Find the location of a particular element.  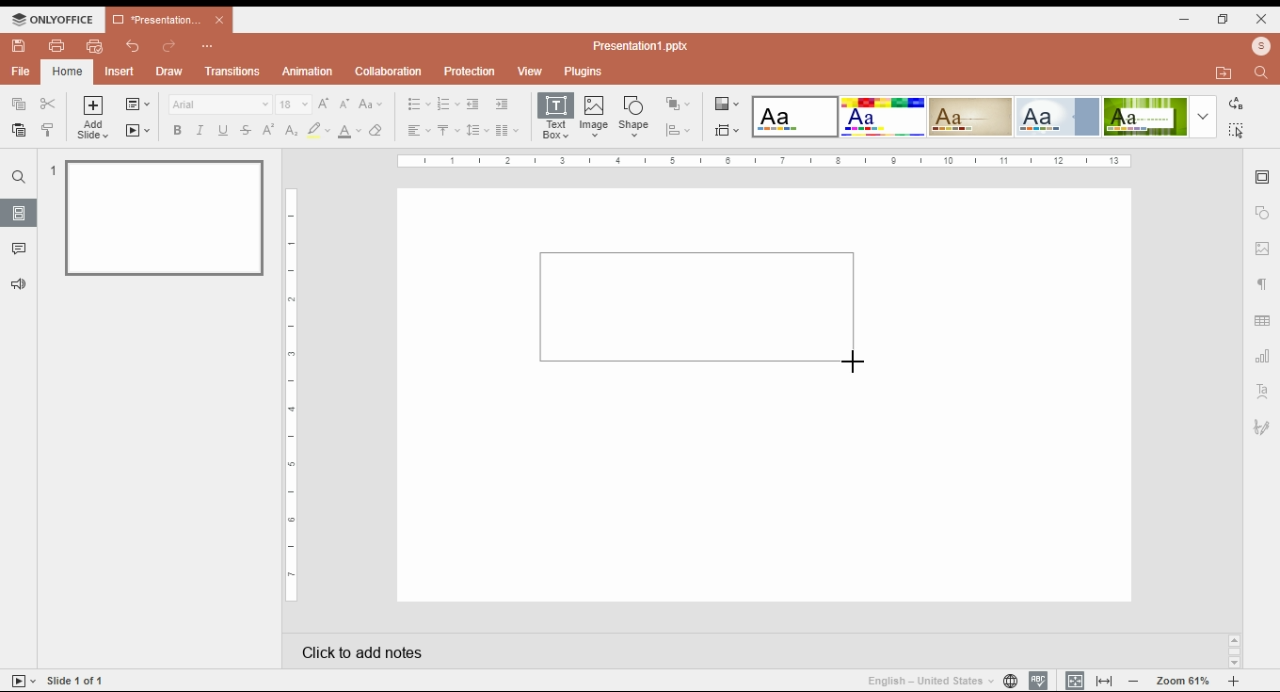

new text box selection is located at coordinates (692, 310).